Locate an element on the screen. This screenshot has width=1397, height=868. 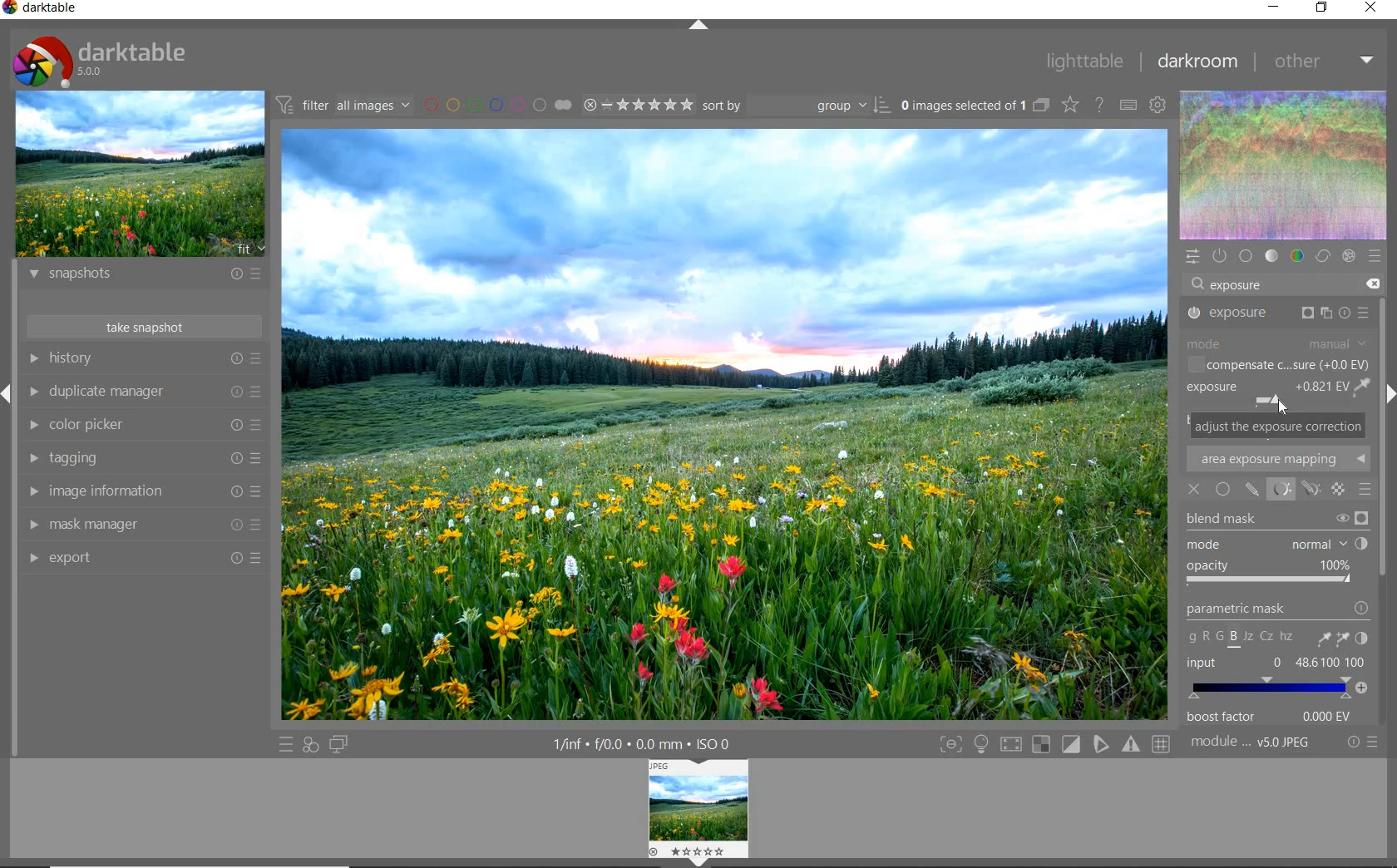
image preview is located at coordinates (697, 813).